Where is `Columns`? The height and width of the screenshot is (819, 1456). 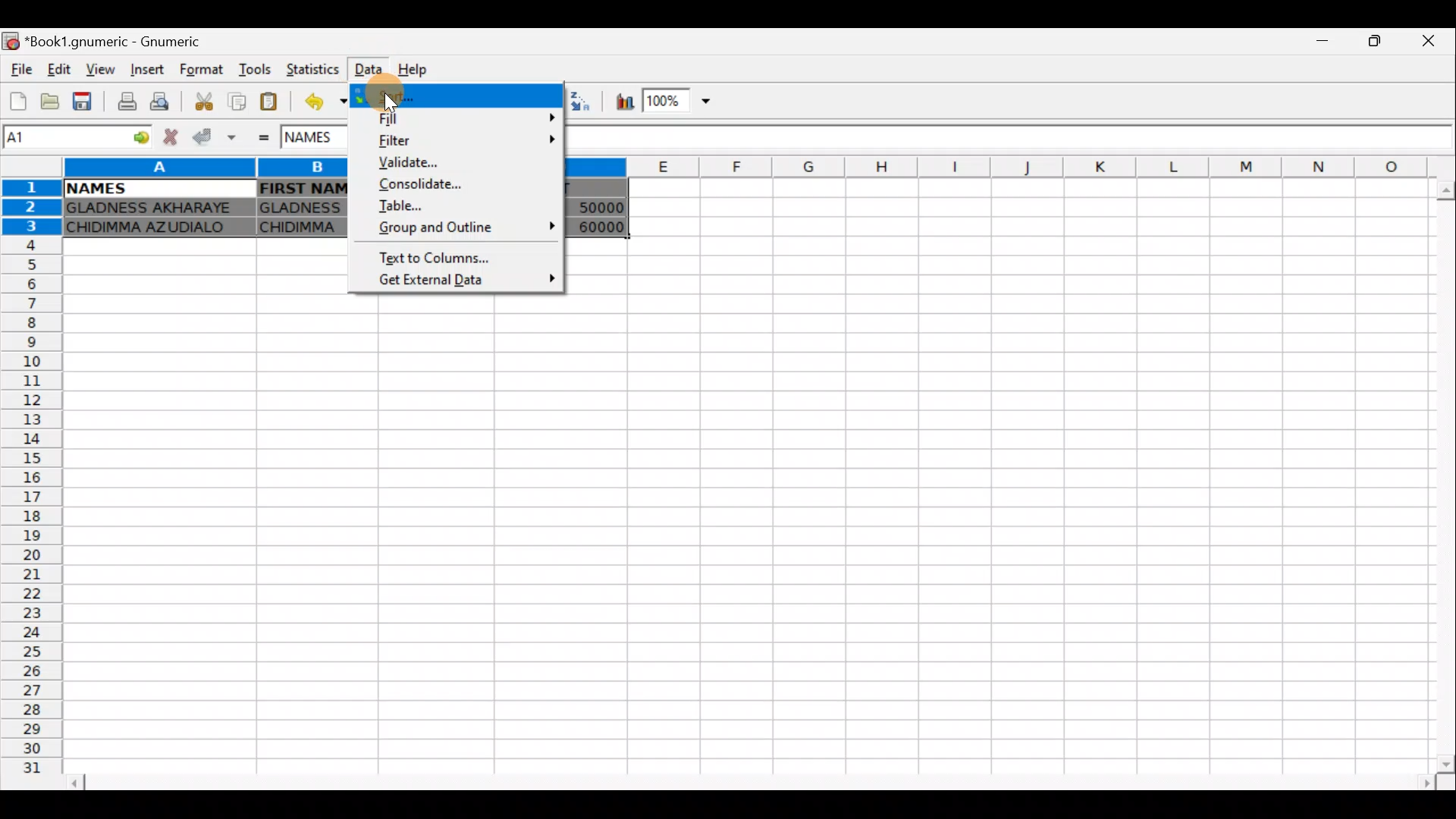
Columns is located at coordinates (1015, 166).